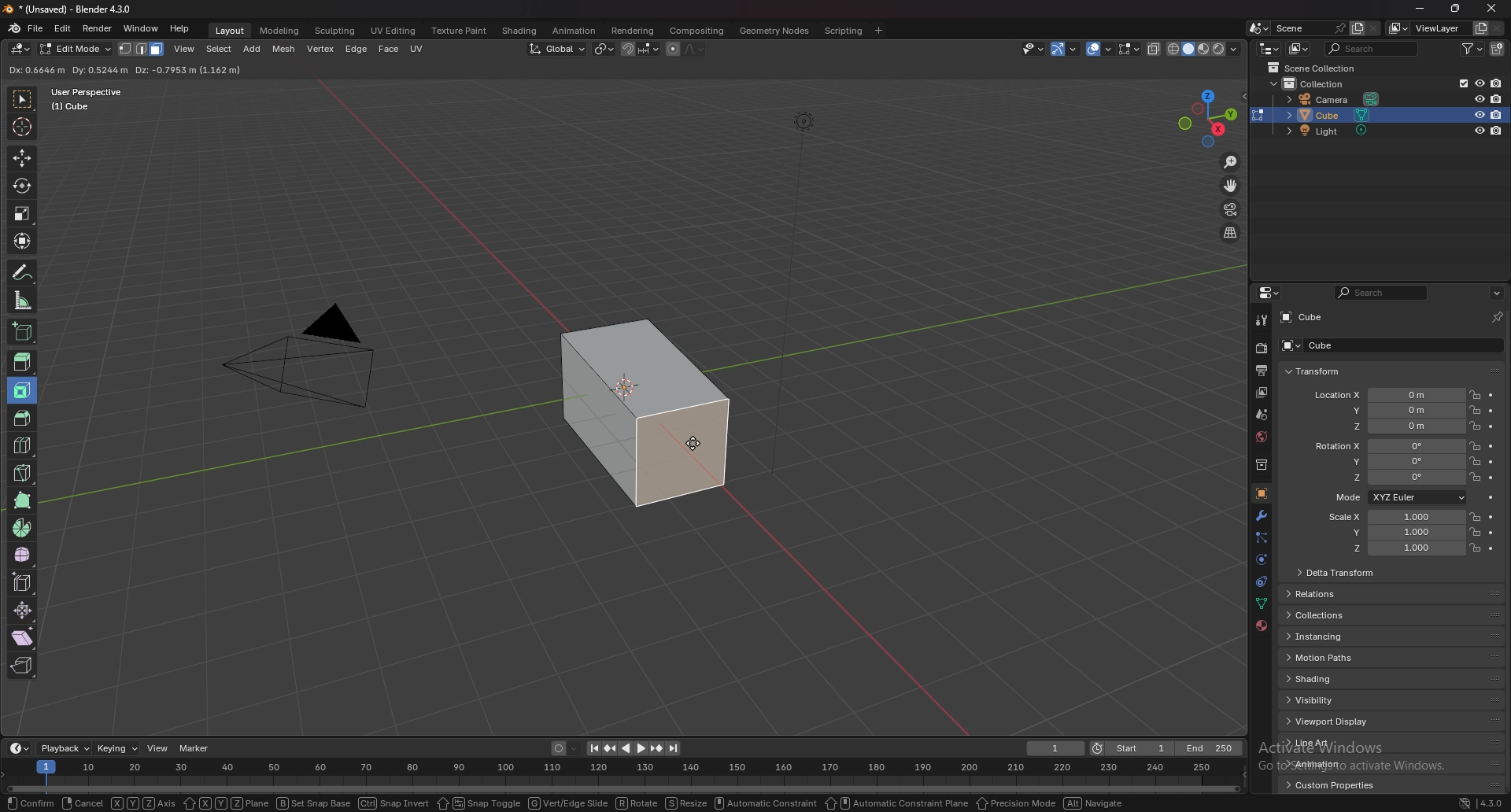  Describe the element at coordinates (1508, 555) in the screenshot. I see `scroll bar` at that location.